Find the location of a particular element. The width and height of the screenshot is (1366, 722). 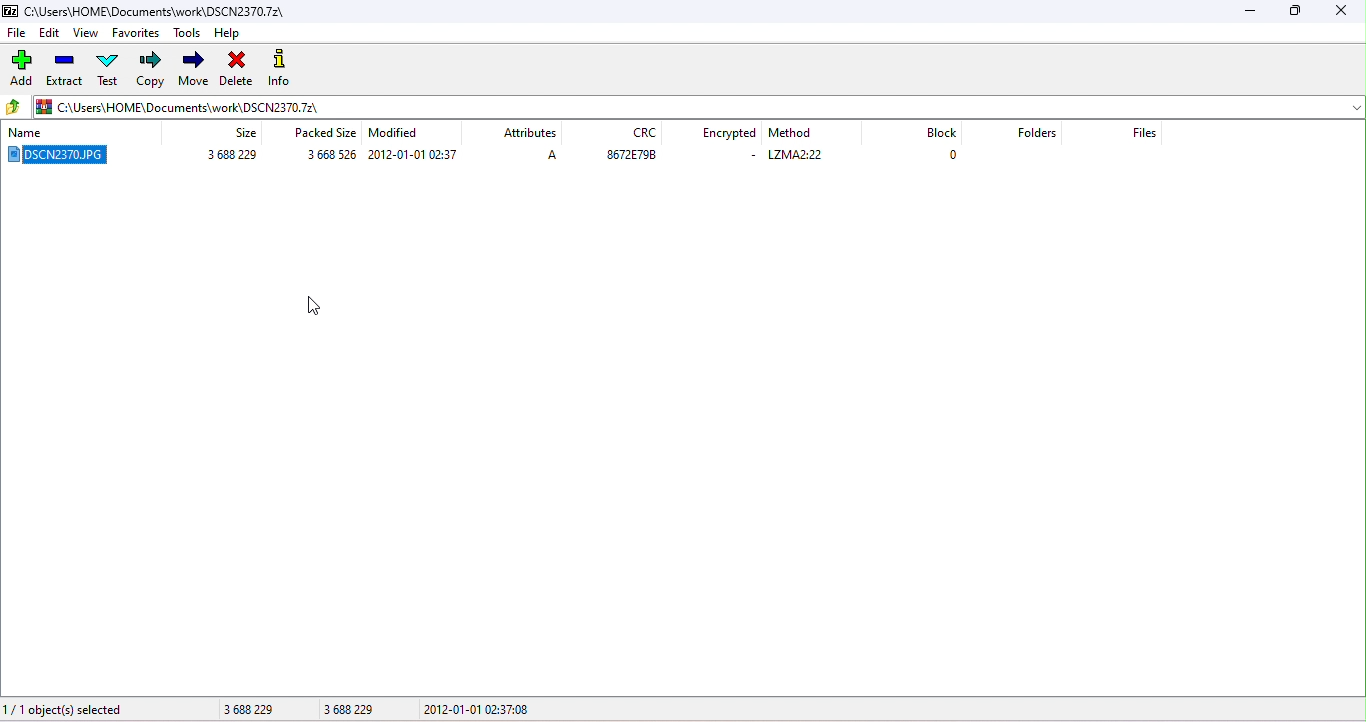

packed size is located at coordinates (328, 129).